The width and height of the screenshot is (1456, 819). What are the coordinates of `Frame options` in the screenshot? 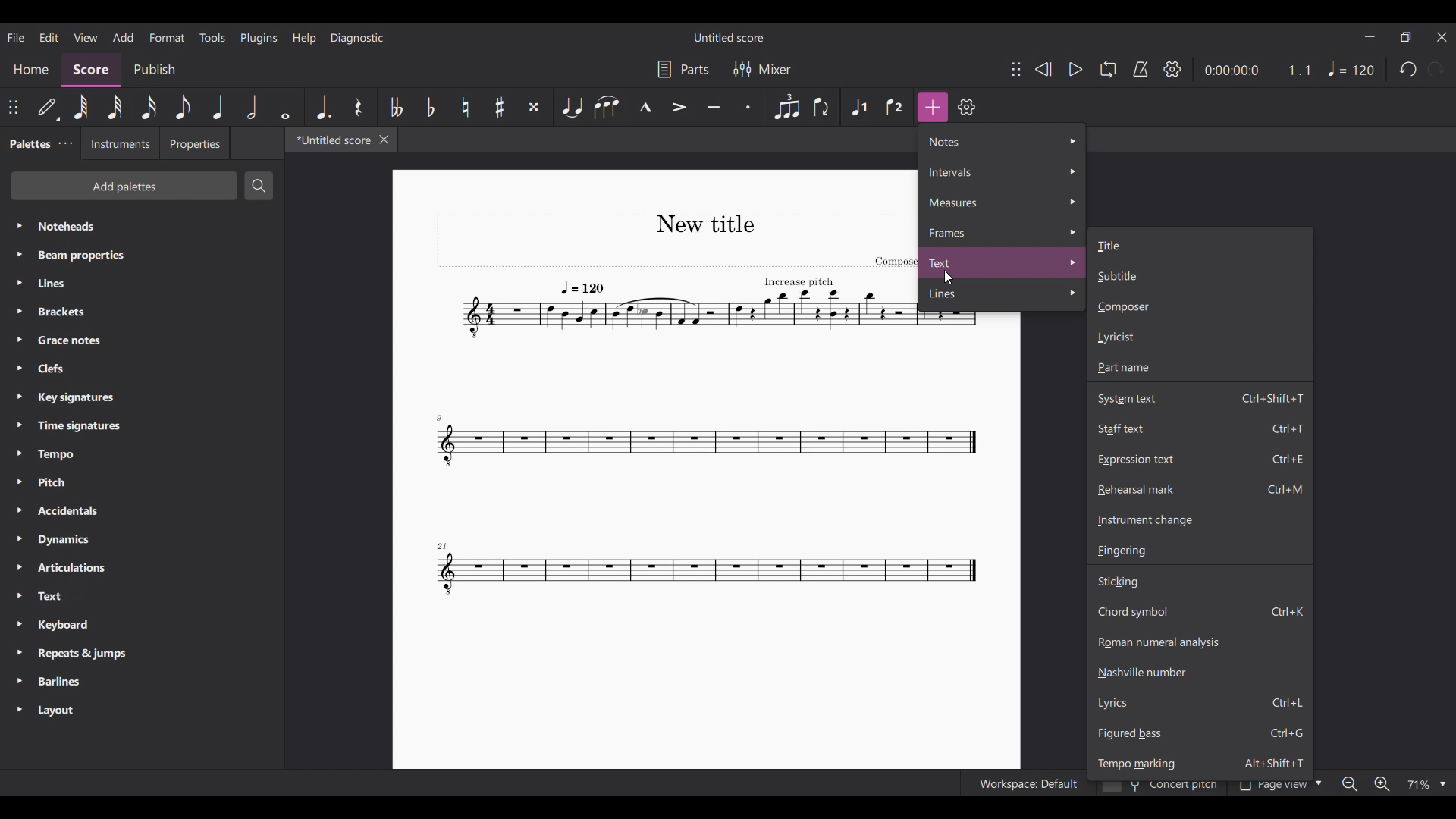 It's located at (1002, 231).